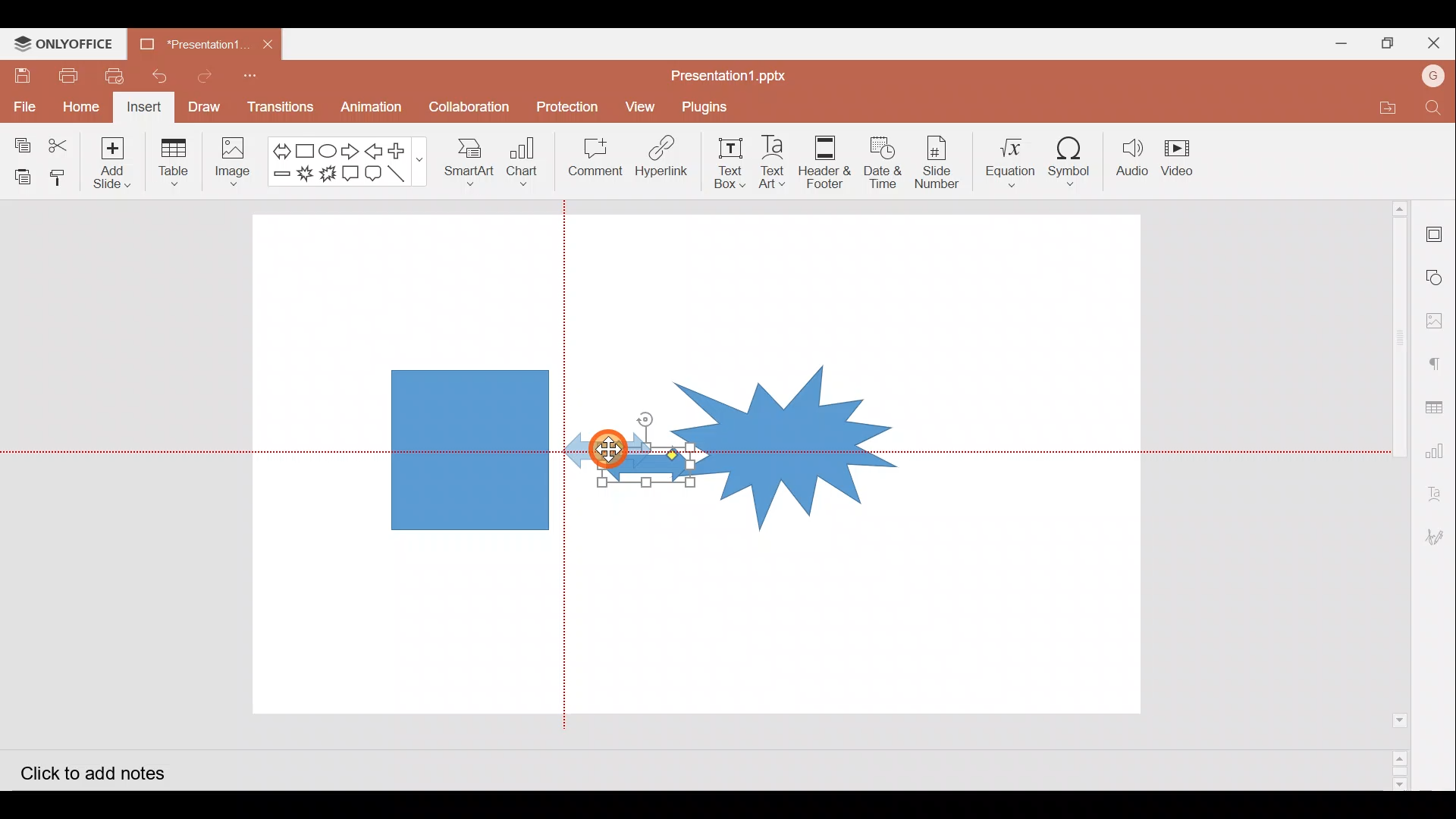 This screenshot has width=1456, height=819. I want to click on SmartArt, so click(469, 165).